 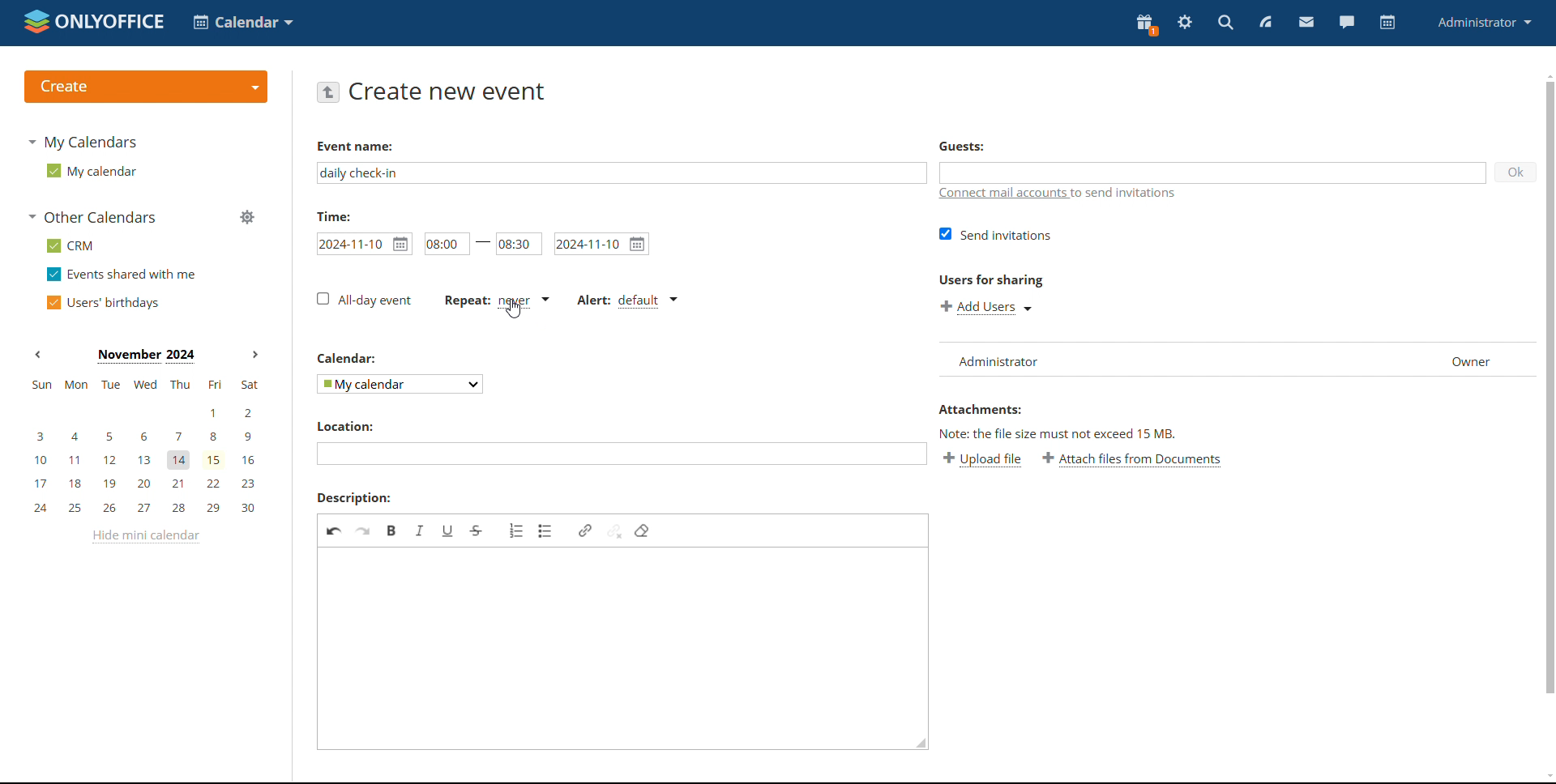 What do you see at coordinates (984, 460) in the screenshot?
I see `upload file` at bounding box center [984, 460].